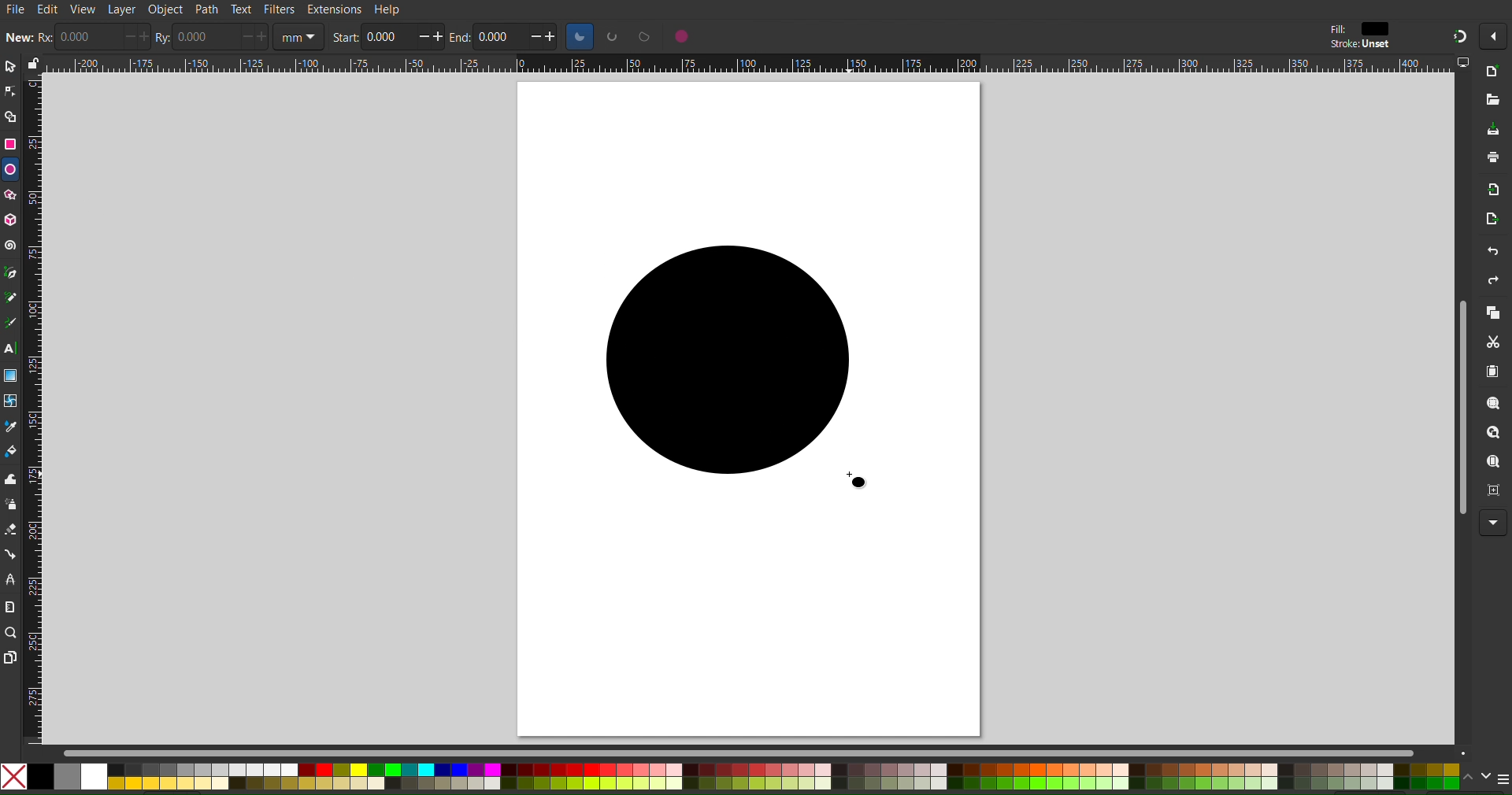 Image resolution: width=1512 pixels, height=795 pixels. What do you see at coordinates (1503, 780) in the screenshot?
I see `menu` at bounding box center [1503, 780].